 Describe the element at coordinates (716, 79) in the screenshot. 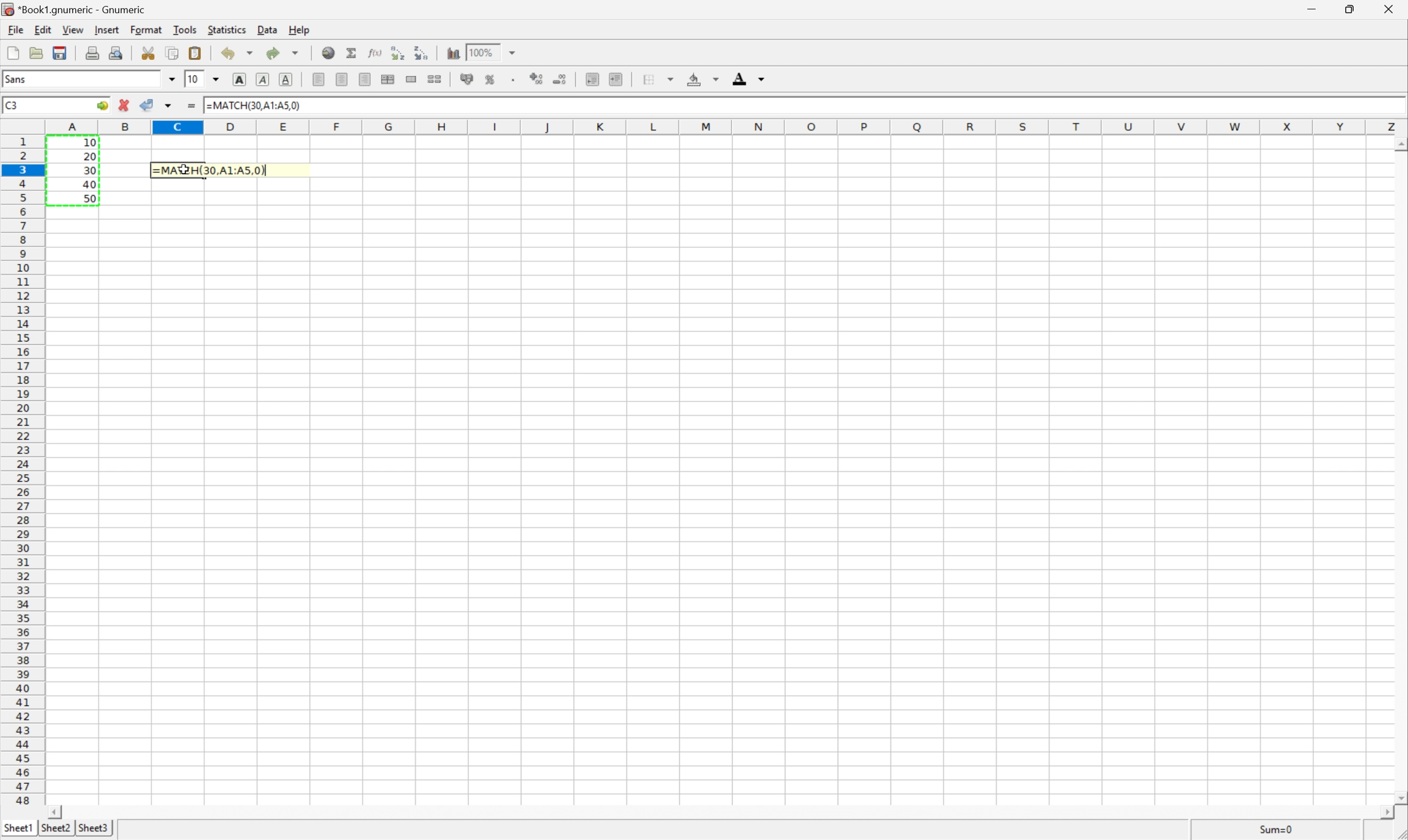

I see `Drop down` at that location.